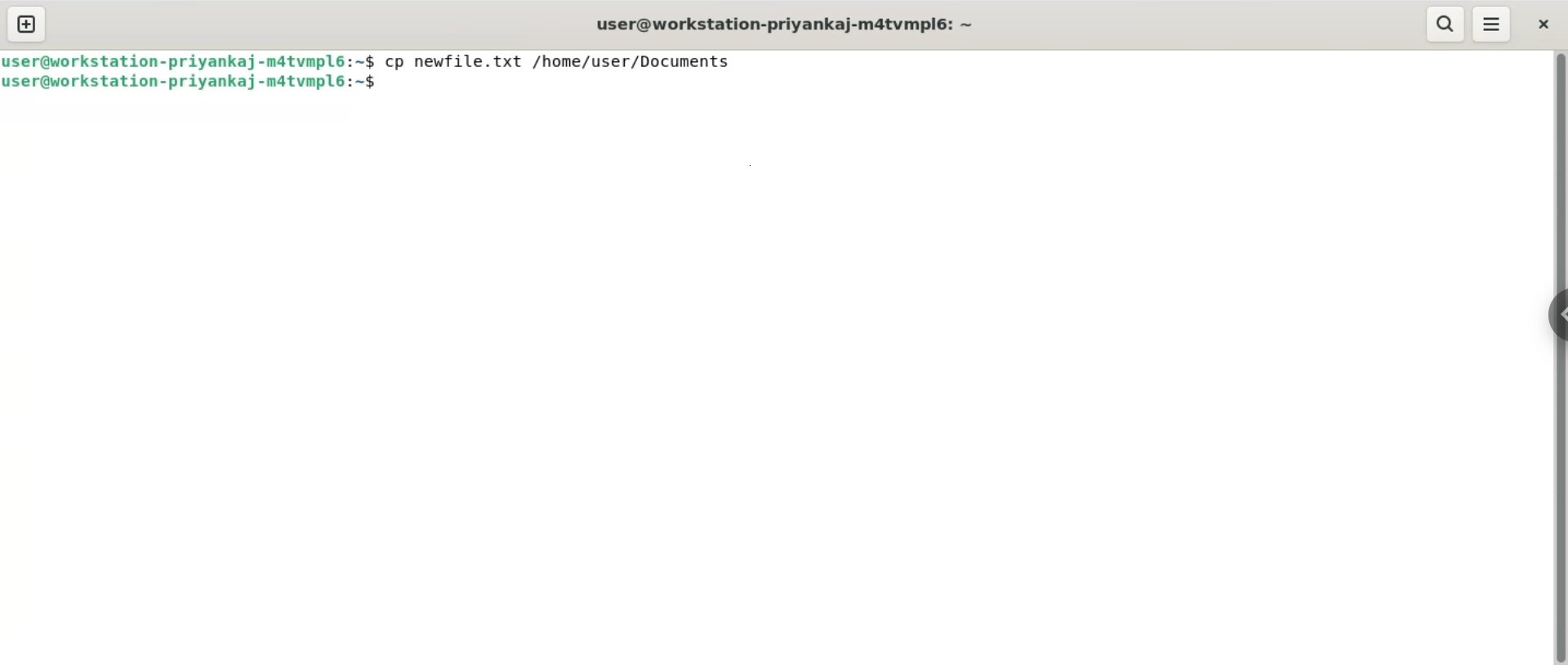 The height and width of the screenshot is (665, 1568). Describe the element at coordinates (191, 83) in the screenshot. I see `user@workstation-priyankaj-m4atvmpl6:~$` at that location.